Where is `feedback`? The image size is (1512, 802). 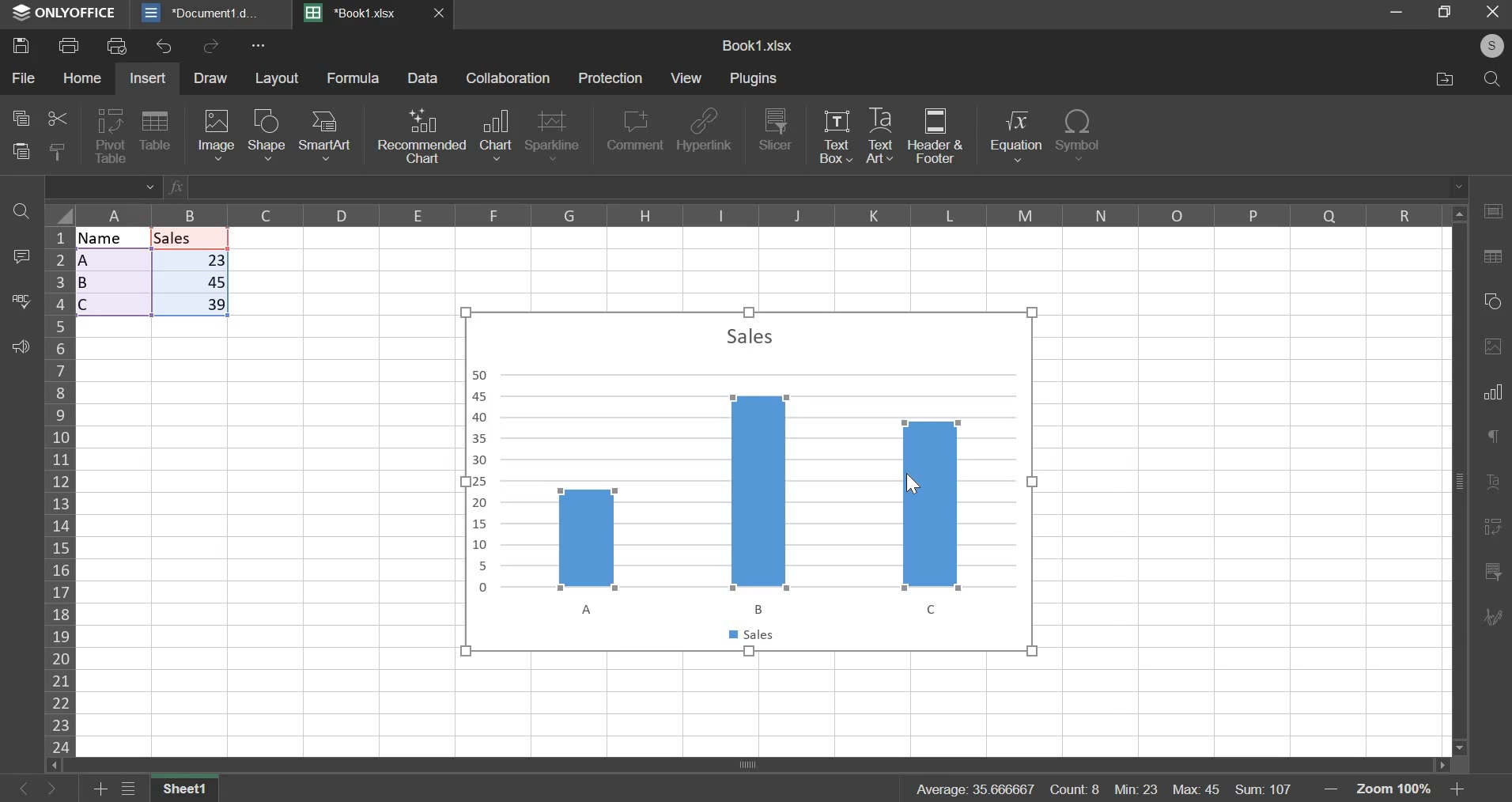
feedback is located at coordinates (20, 346).